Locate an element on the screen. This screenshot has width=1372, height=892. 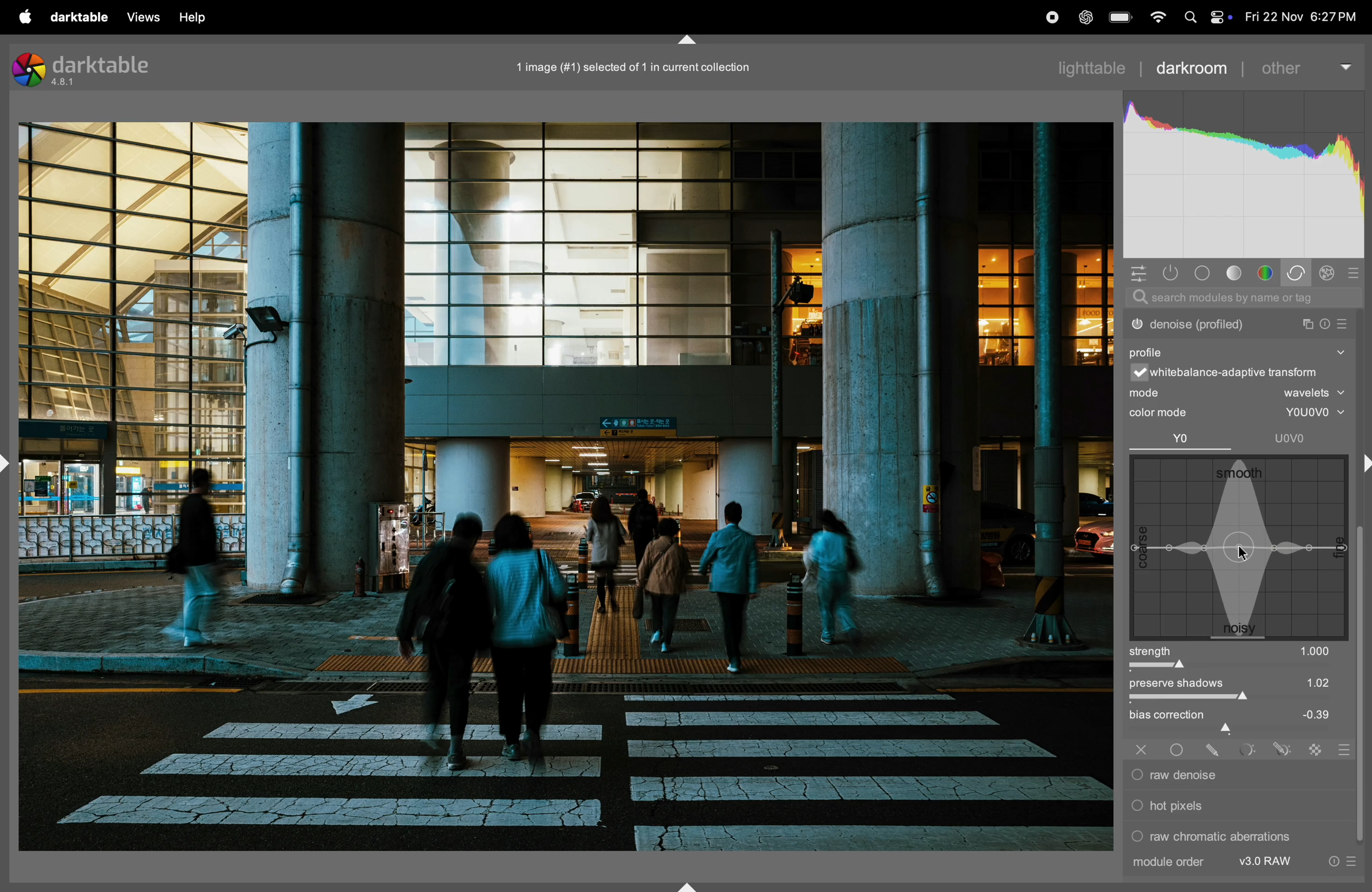
cursor is located at coordinates (1245, 550).